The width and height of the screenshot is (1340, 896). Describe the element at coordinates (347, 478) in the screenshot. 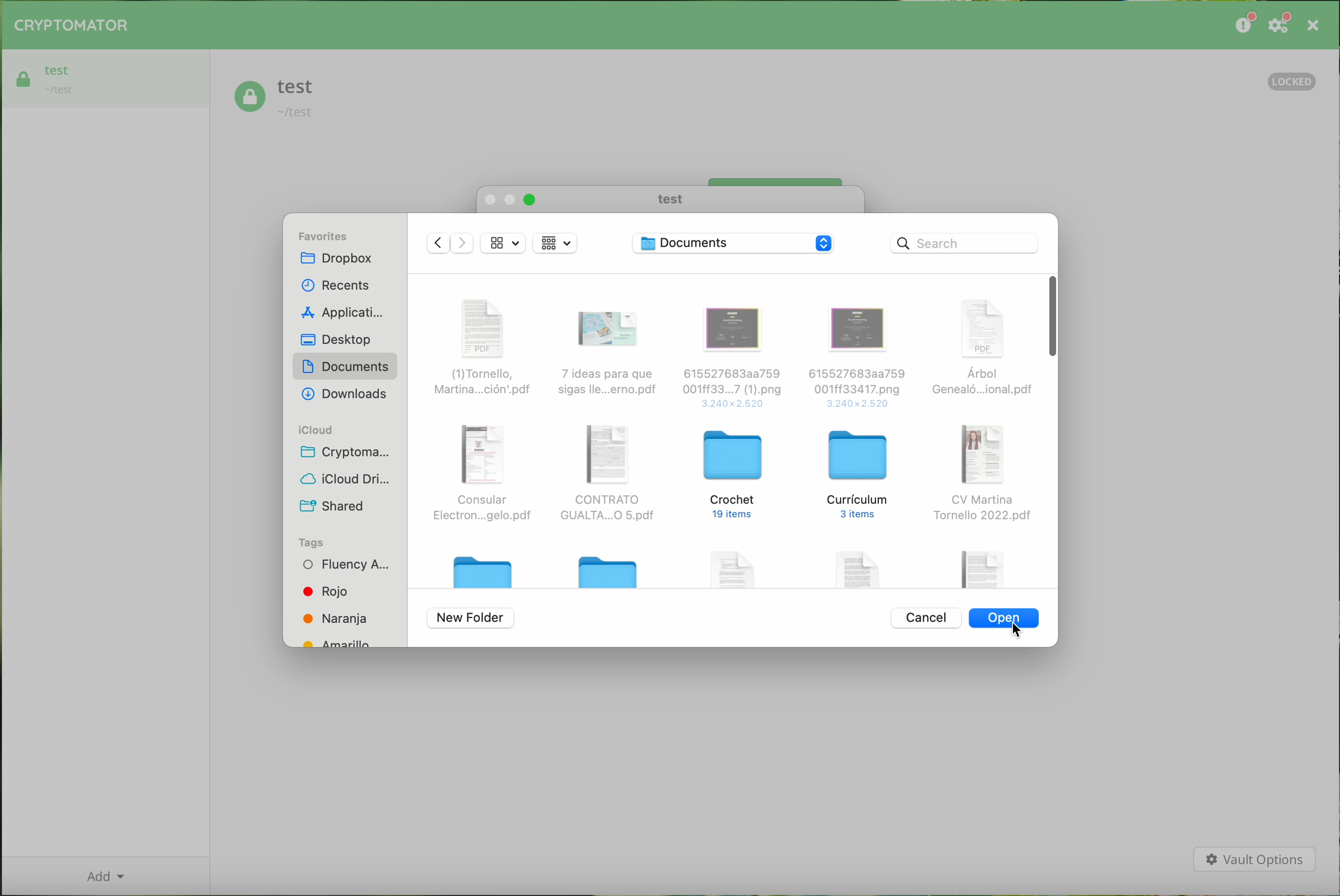

I see `icloud drive` at that location.